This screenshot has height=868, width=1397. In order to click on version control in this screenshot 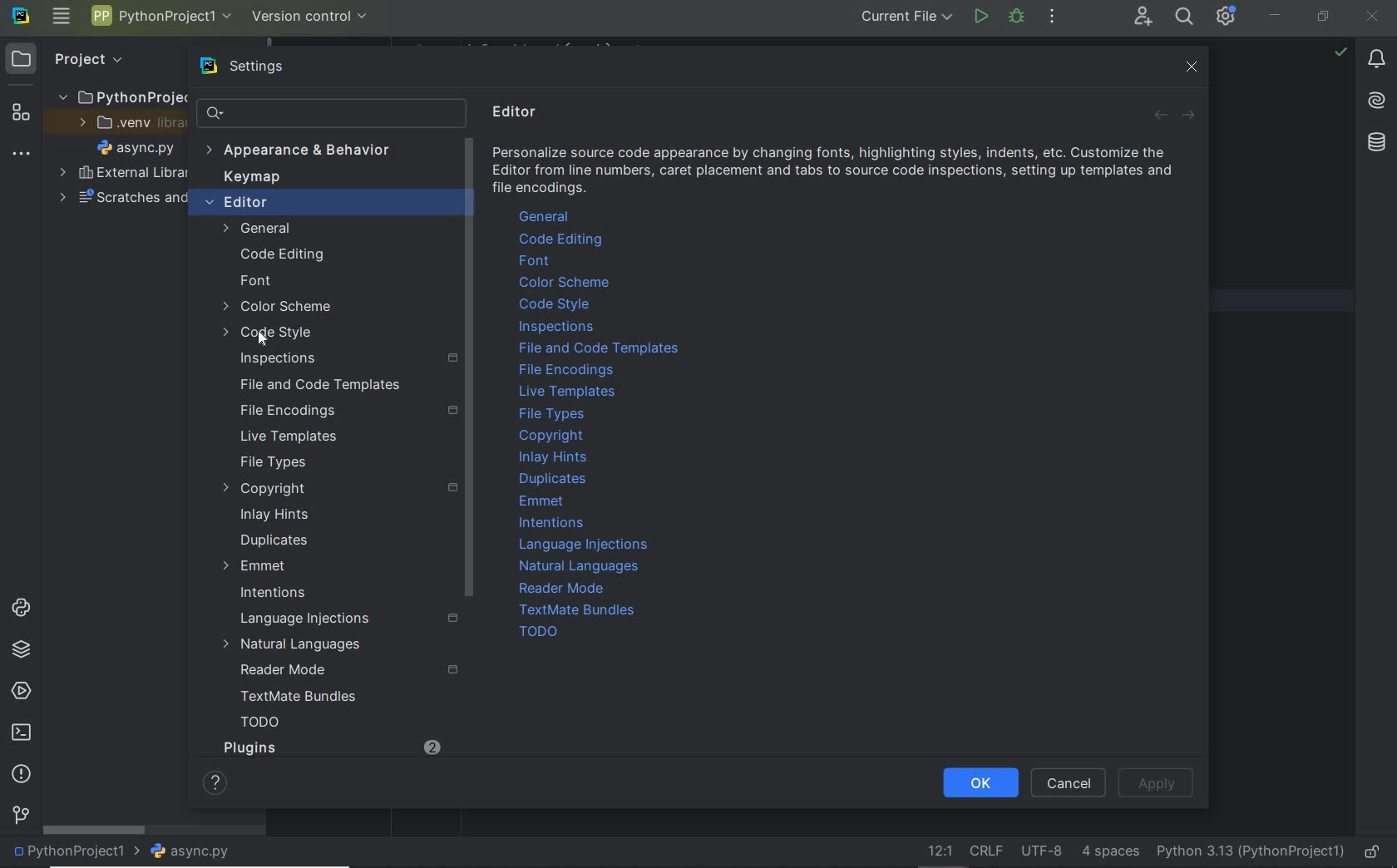, I will do `click(310, 17)`.